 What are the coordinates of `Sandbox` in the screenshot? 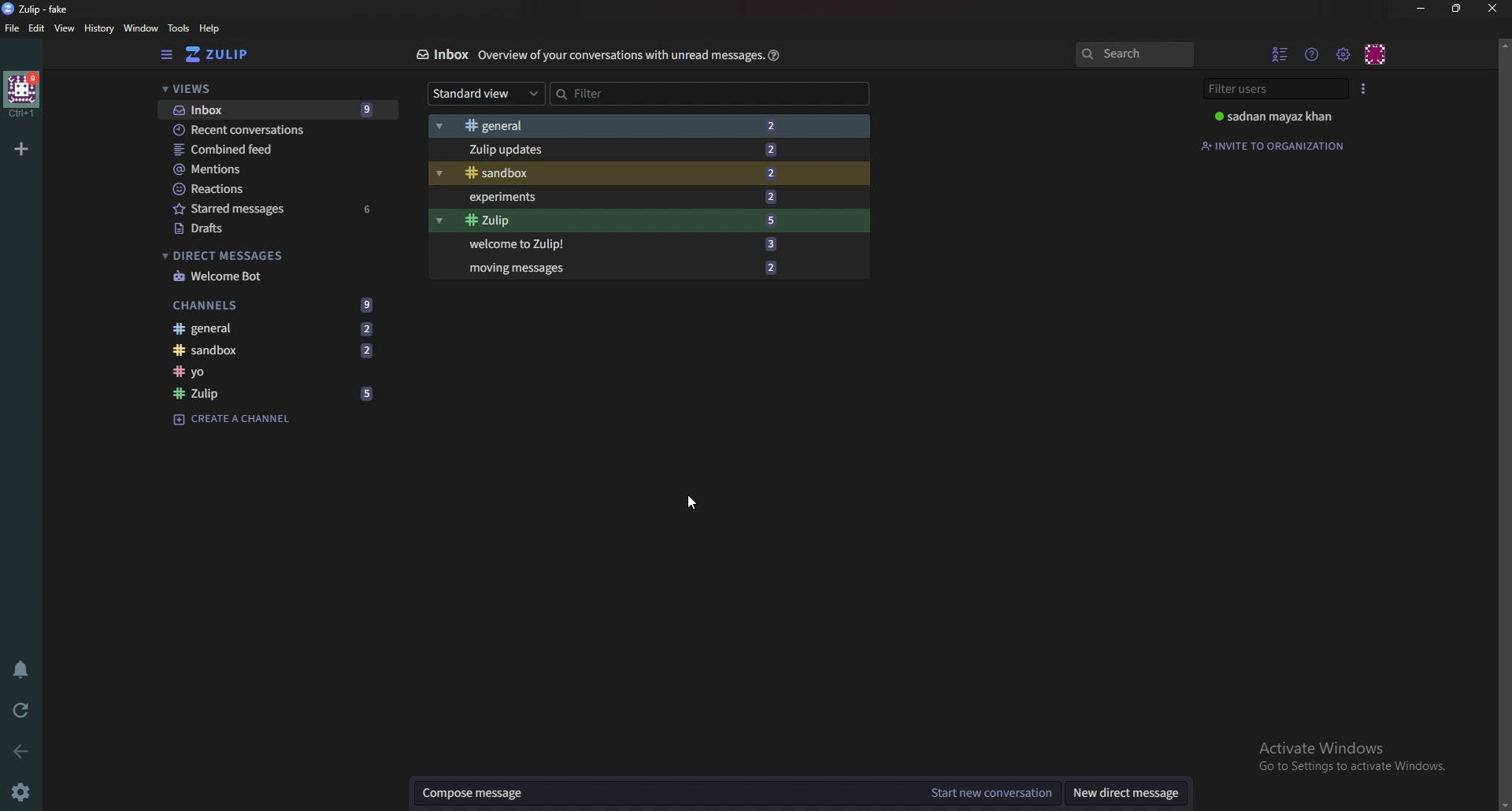 It's located at (261, 349).